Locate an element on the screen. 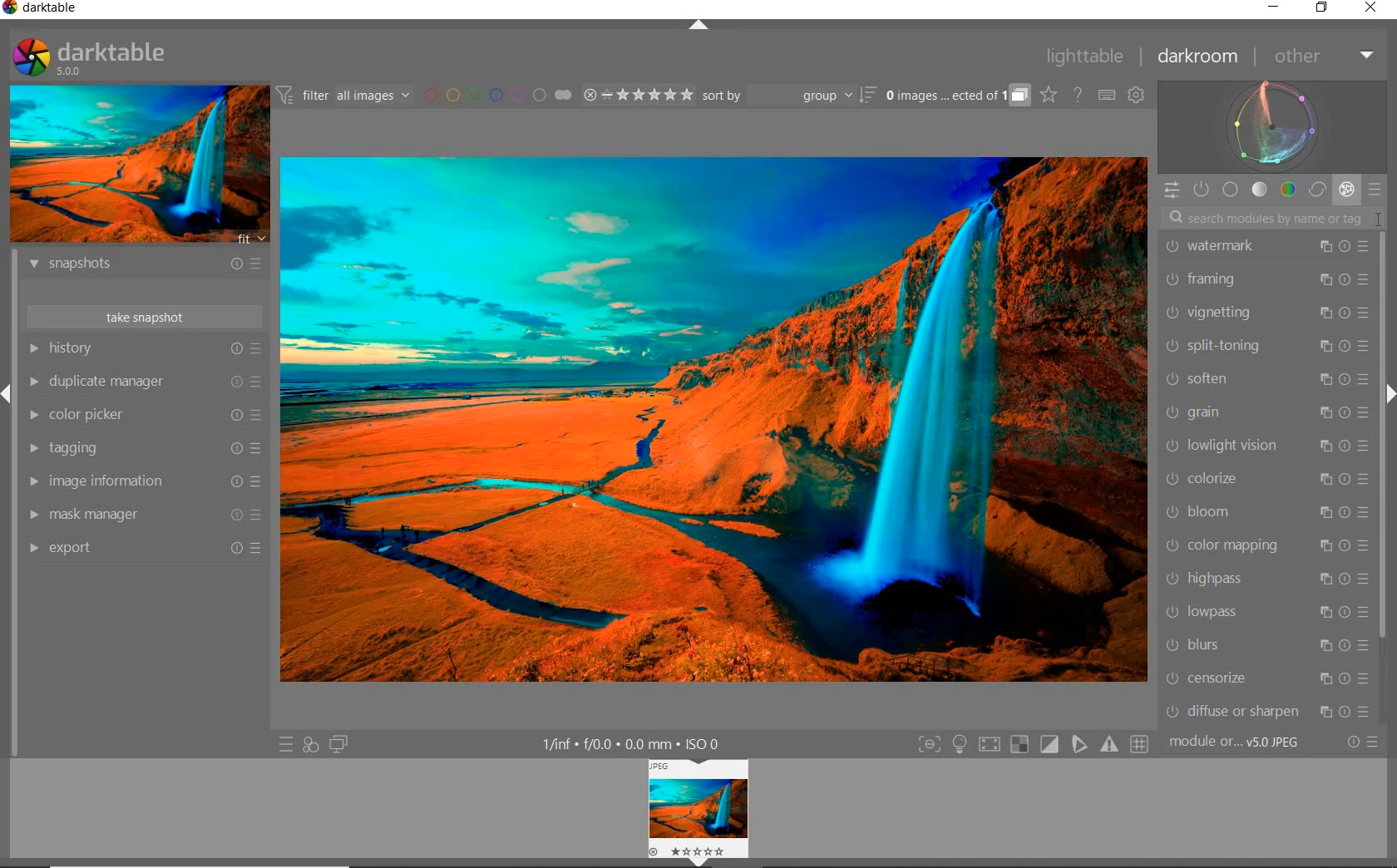 Image resolution: width=1397 pixels, height=868 pixels. history is located at coordinates (144, 348).